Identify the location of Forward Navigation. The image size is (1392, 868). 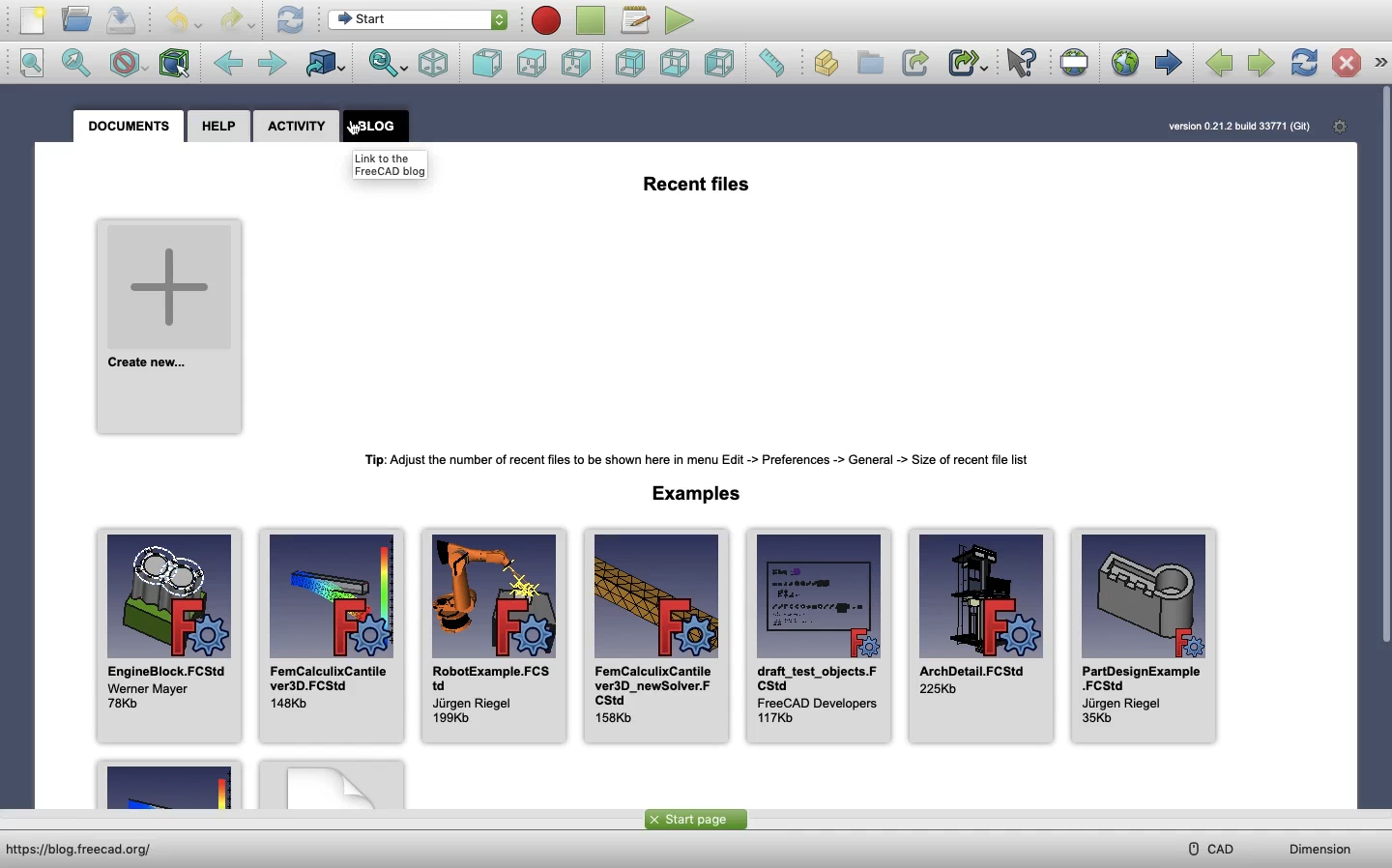
(1167, 62).